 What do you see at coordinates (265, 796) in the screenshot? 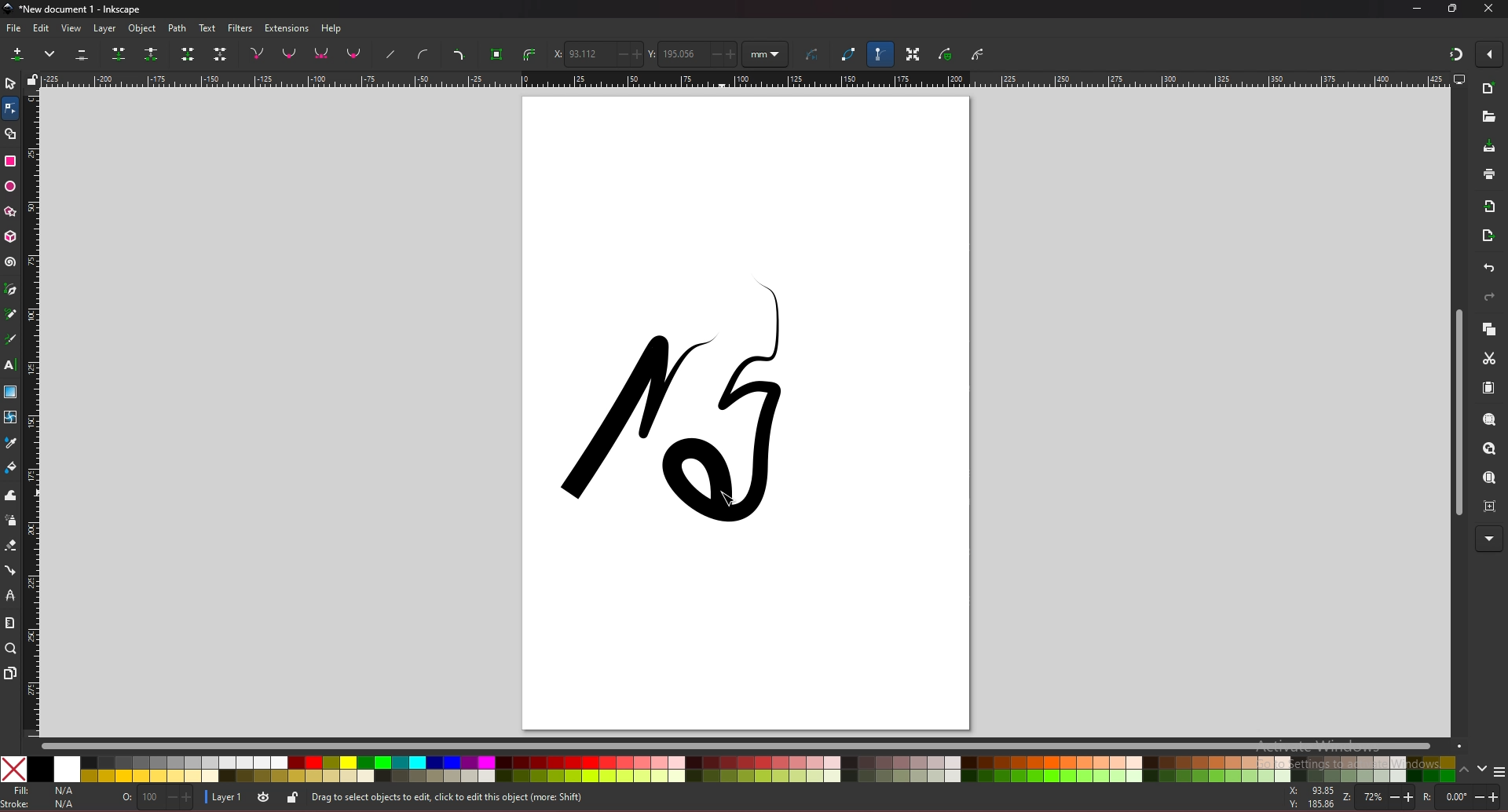
I see `toggle visibility` at bounding box center [265, 796].